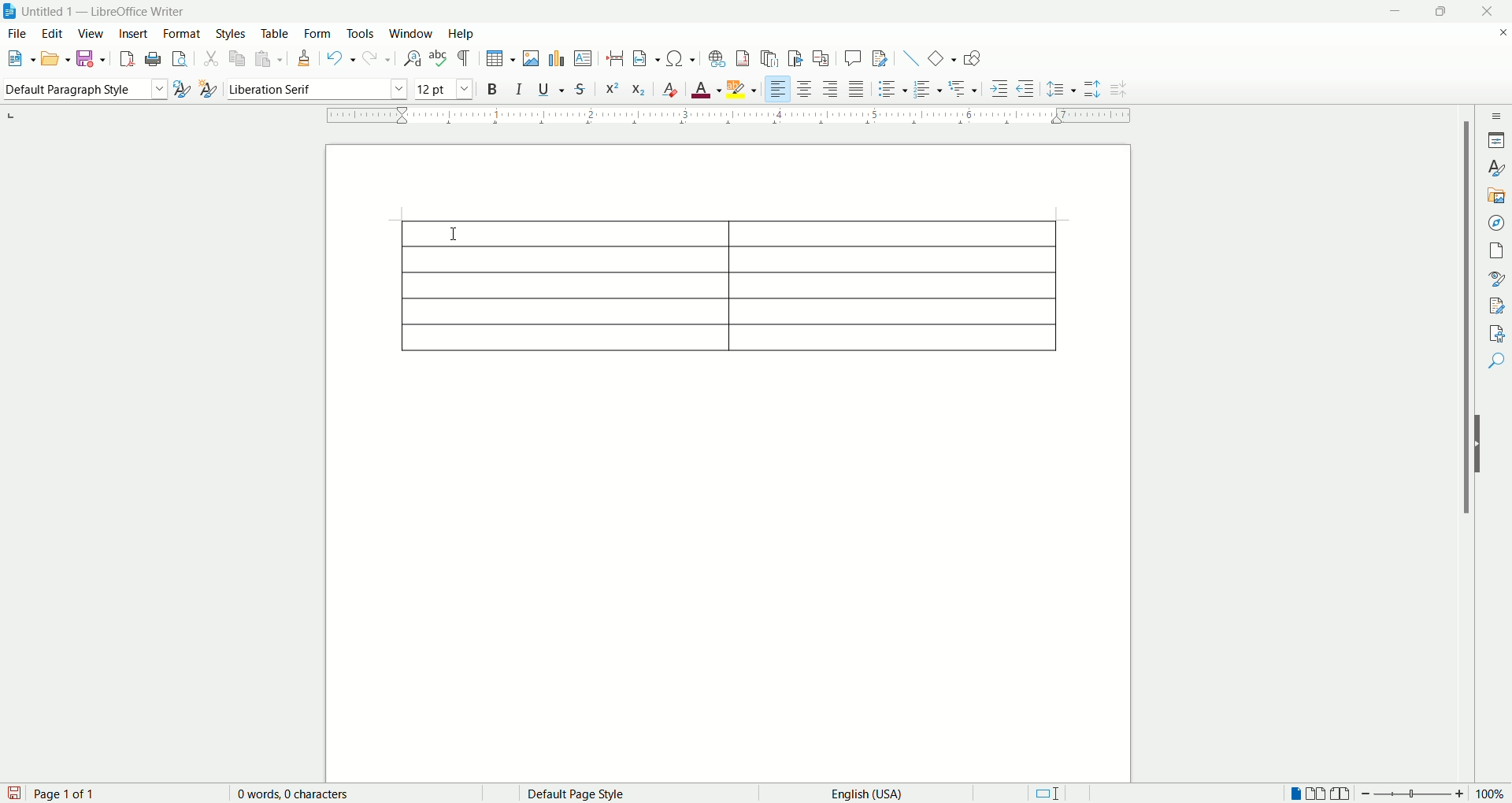 The width and height of the screenshot is (1512, 803). I want to click on redo, so click(378, 57).